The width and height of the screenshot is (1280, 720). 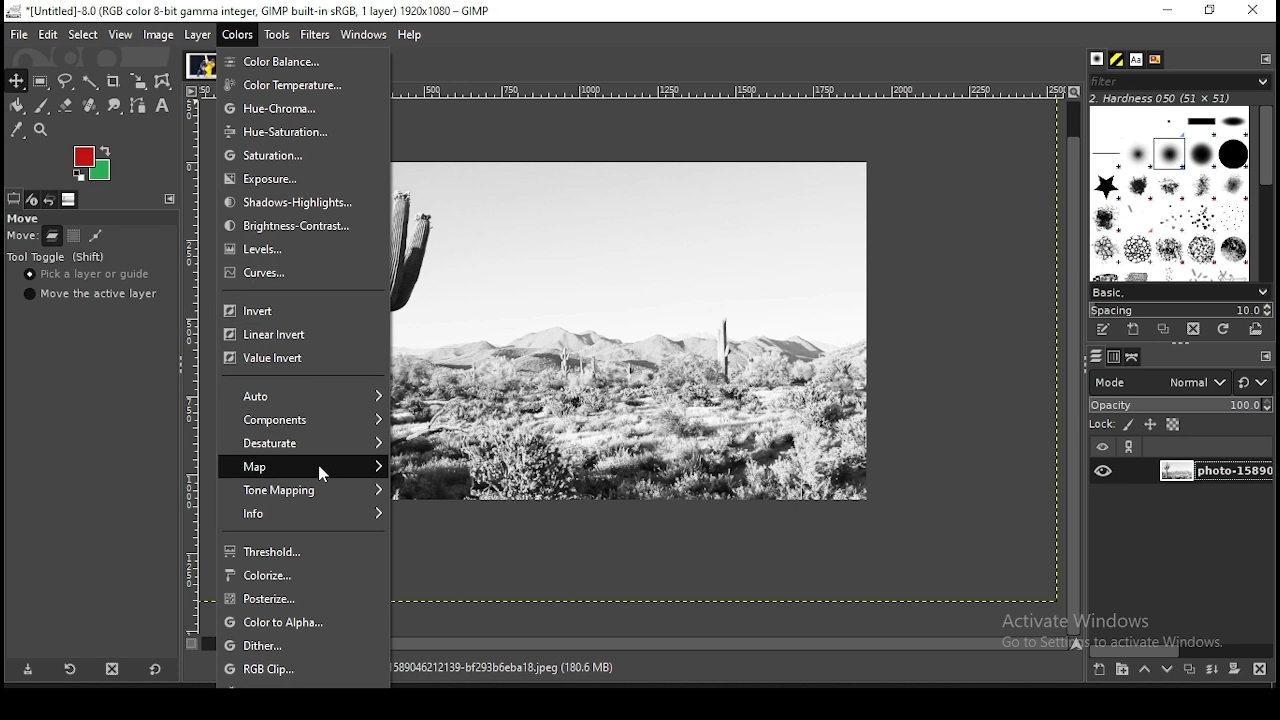 I want to click on move tool, so click(x=15, y=80).